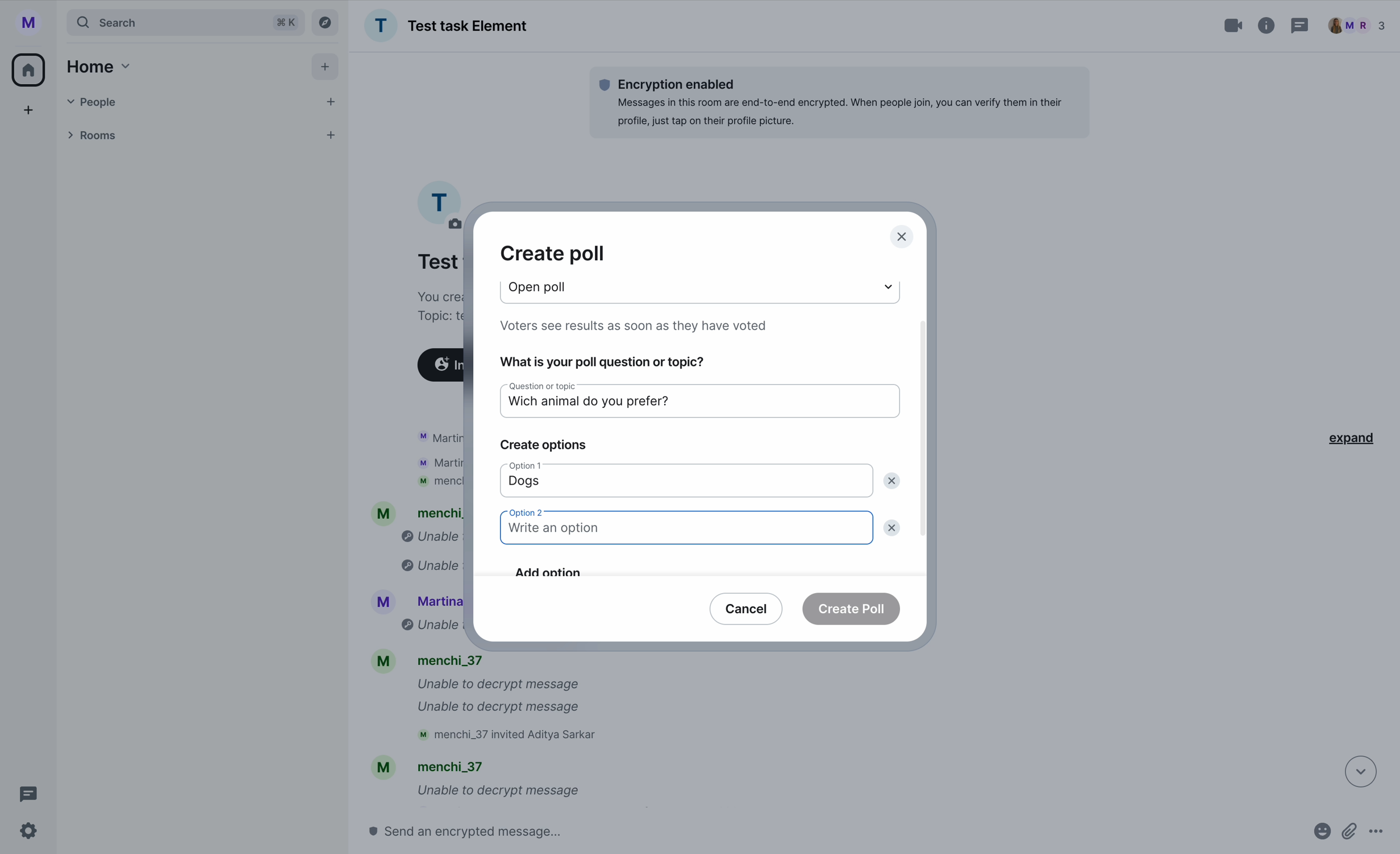  I want to click on dropdown, so click(888, 285).